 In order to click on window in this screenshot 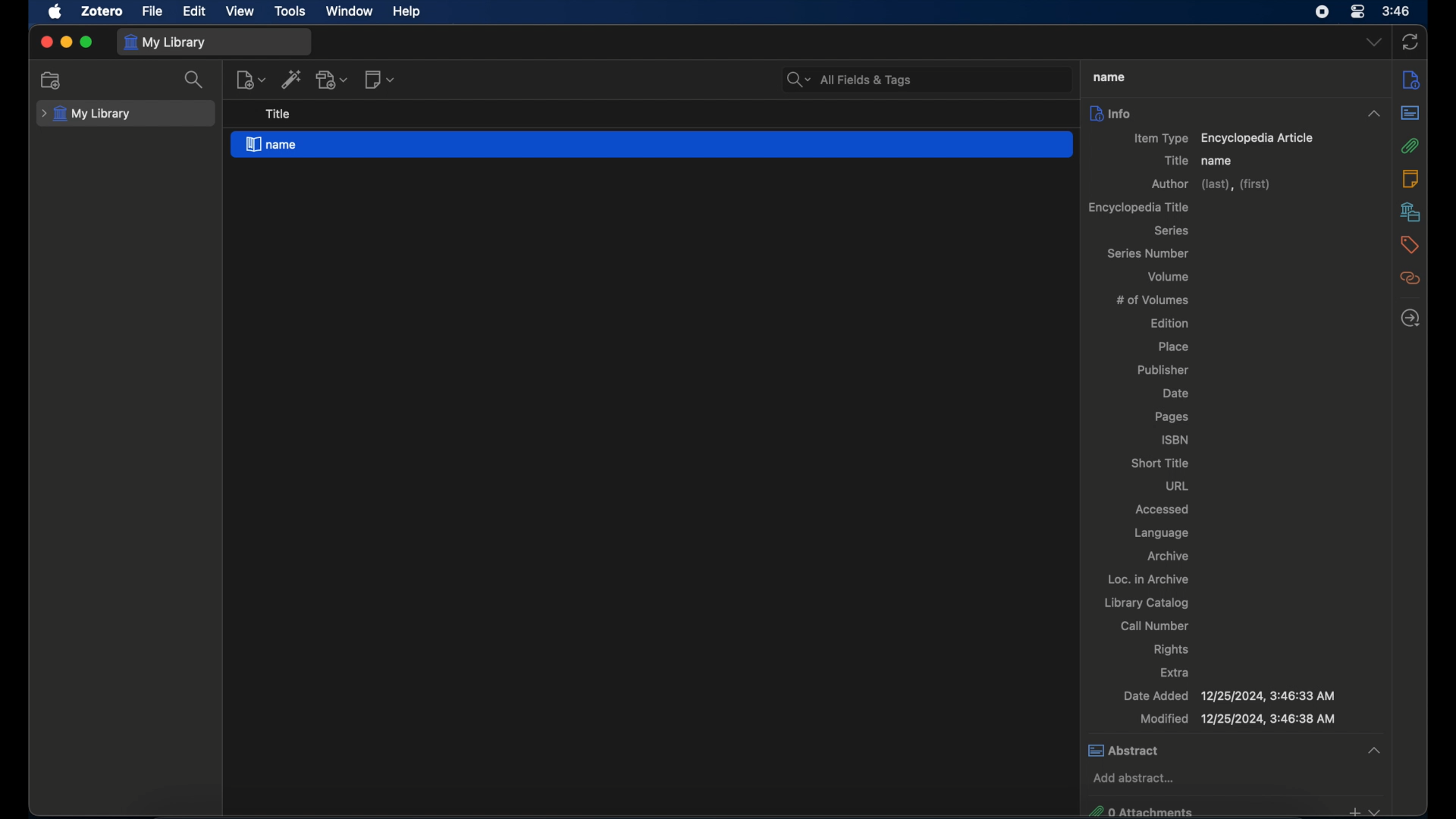, I will do `click(350, 11)`.